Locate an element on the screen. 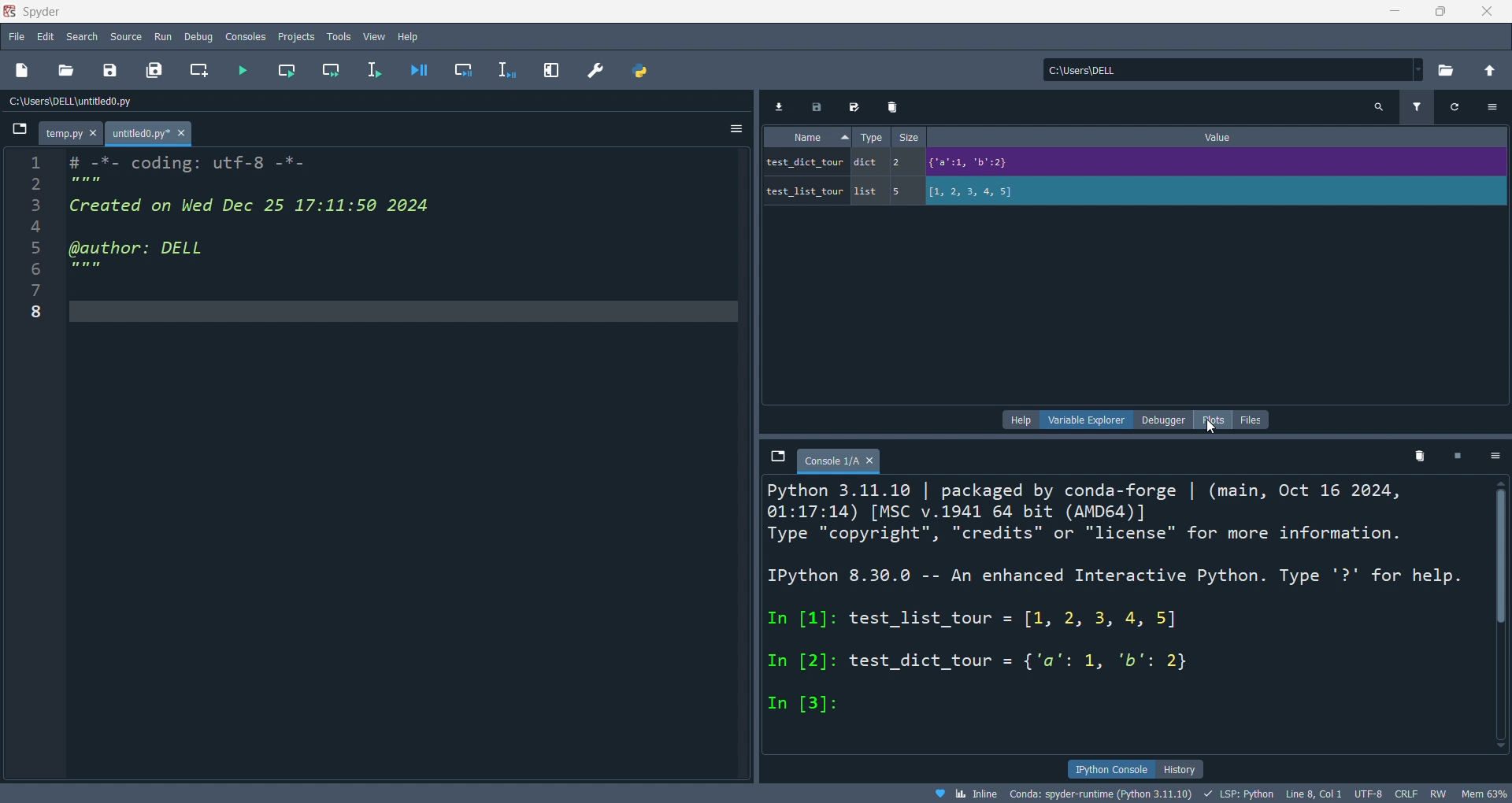  debugger is located at coordinates (1164, 420).